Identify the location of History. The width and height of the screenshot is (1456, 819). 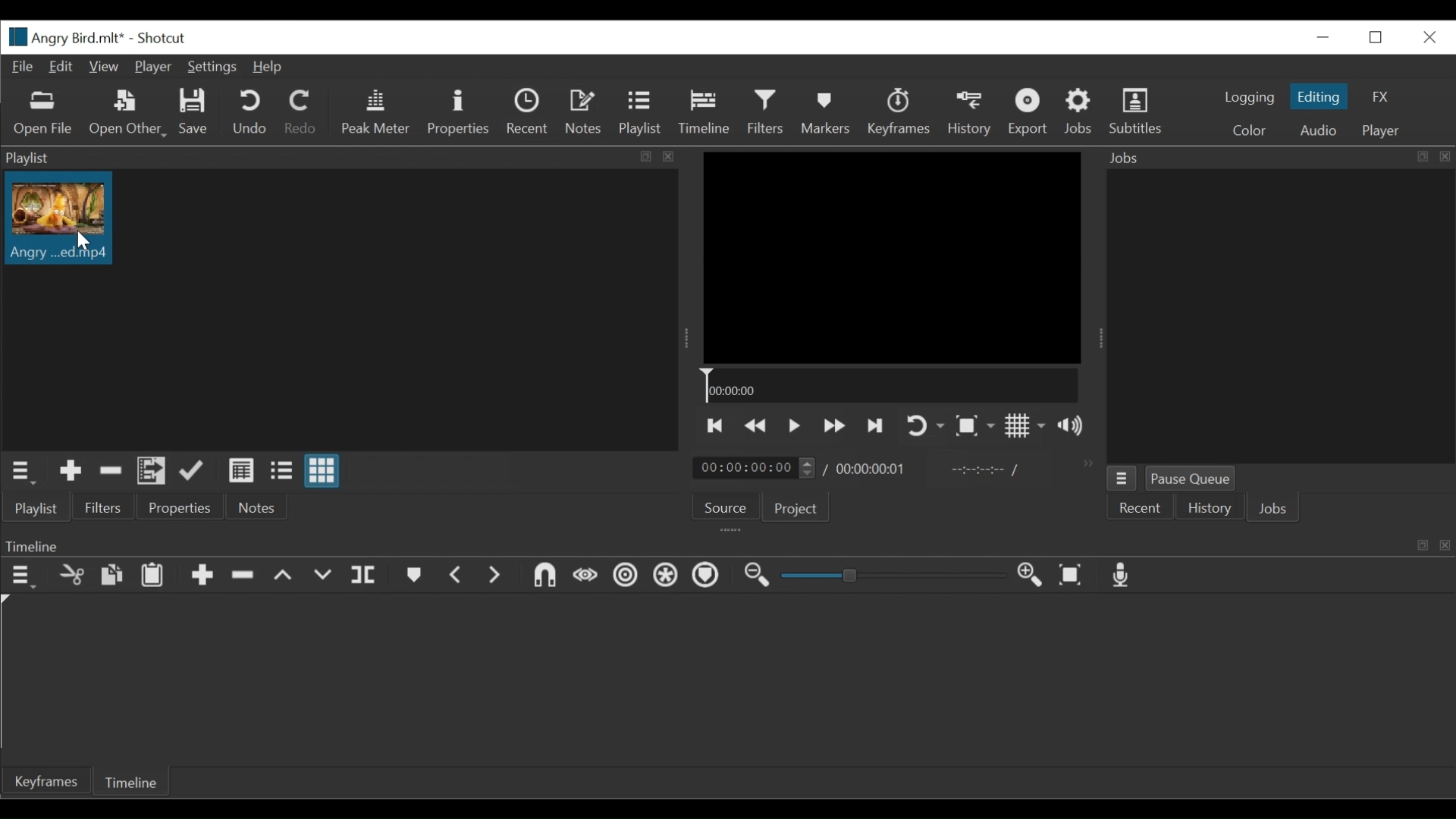
(971, 115).